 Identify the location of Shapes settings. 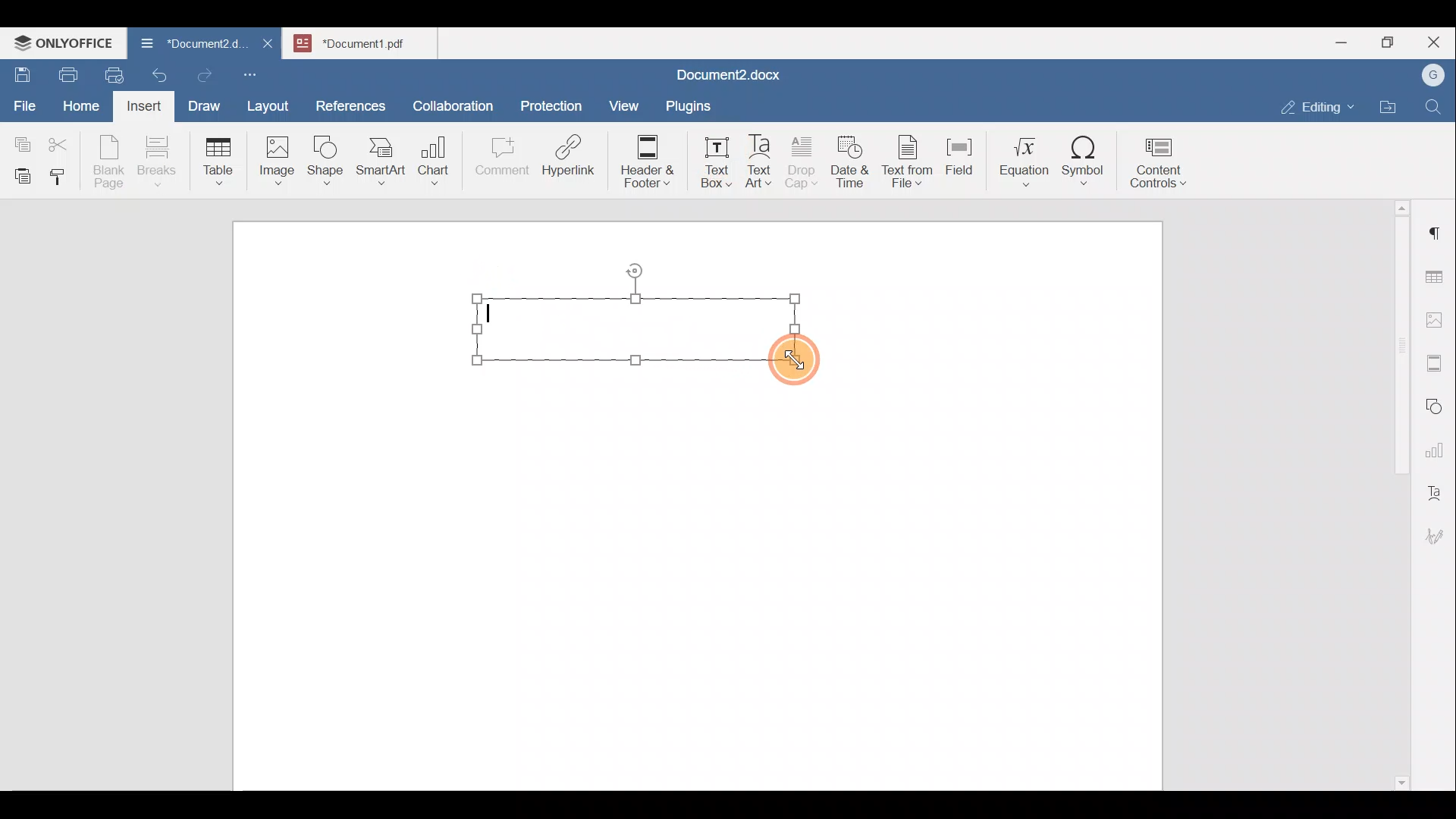
(1437, 404).